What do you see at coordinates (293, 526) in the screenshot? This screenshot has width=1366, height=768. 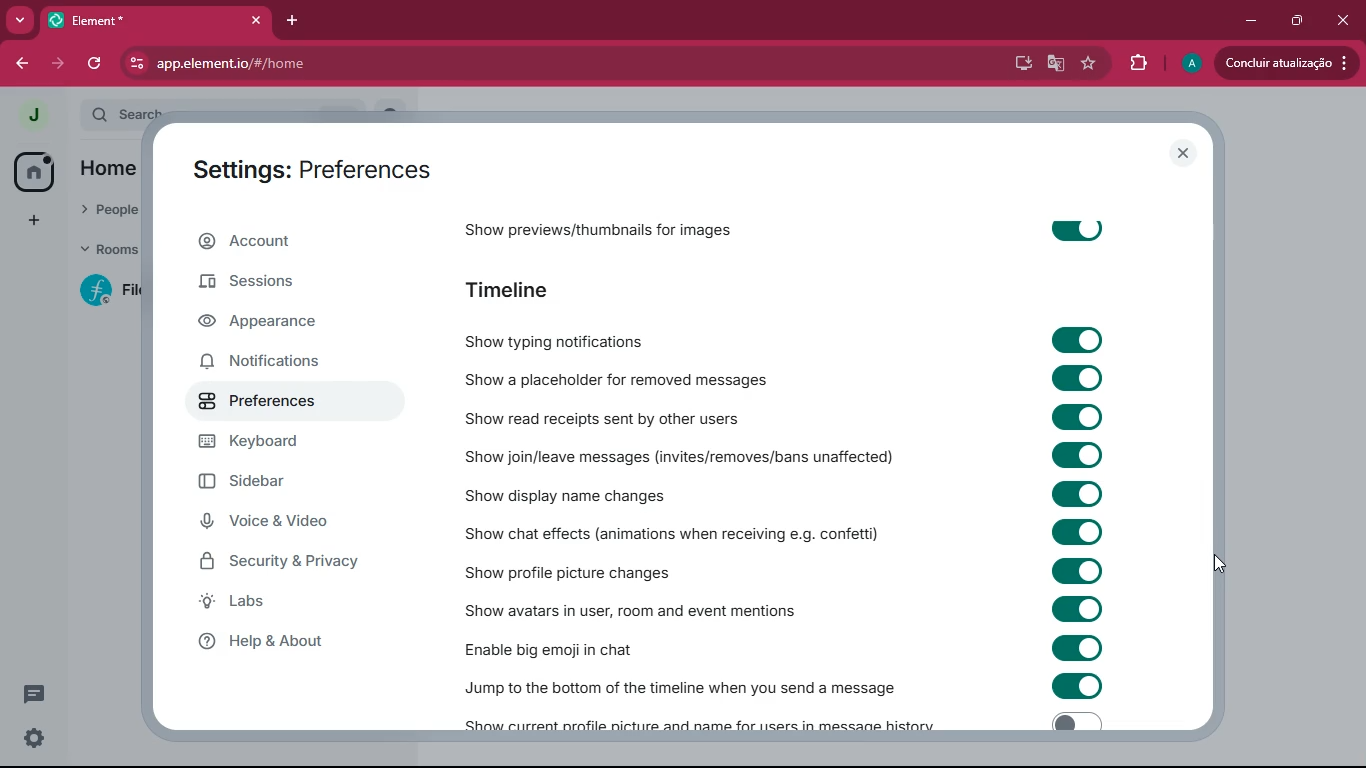 I see `voice` at bounding box center [293, 526].